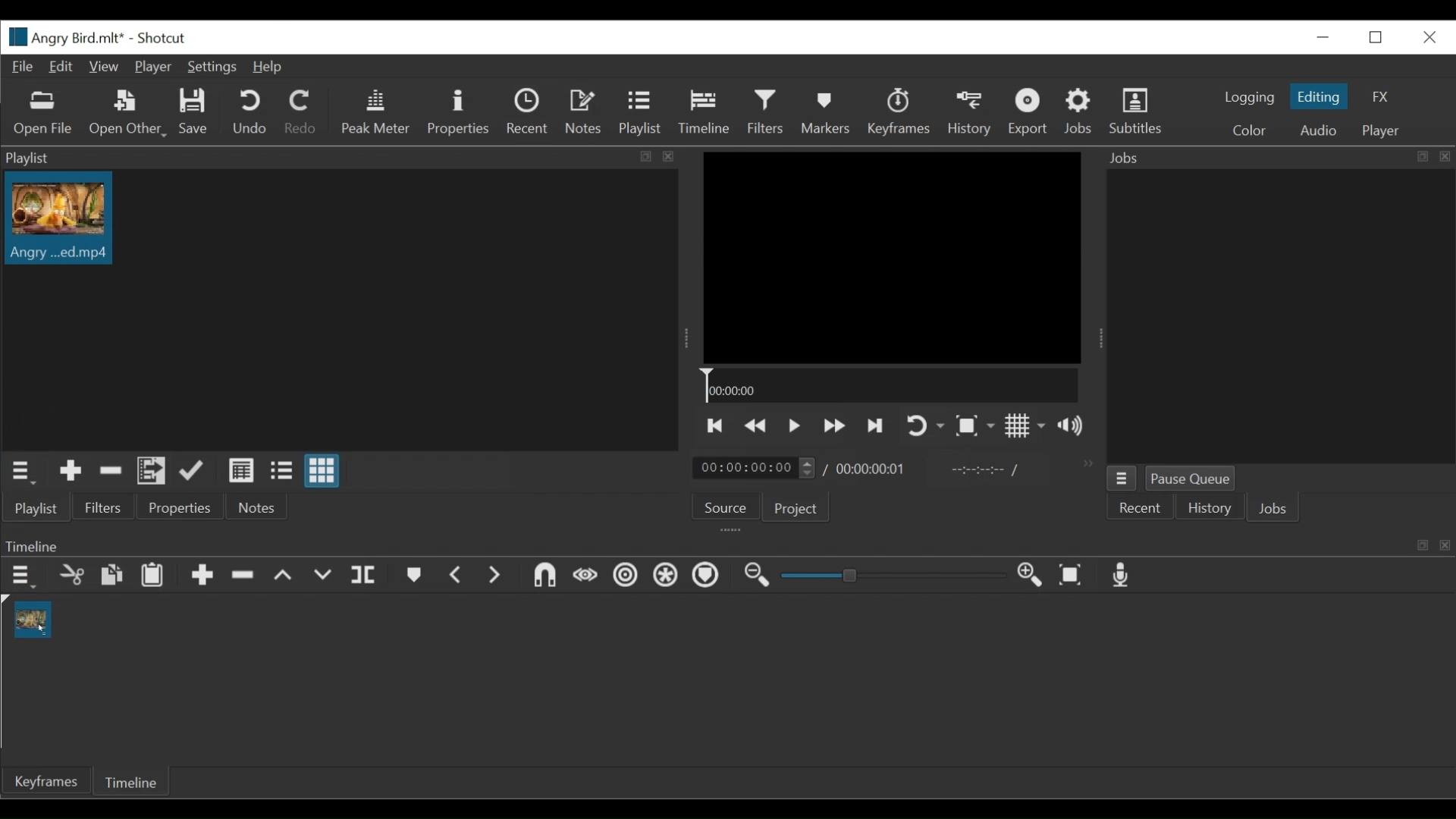  Describe the element at coordinates (1191, 479) in the screenshot. I see `Pause Queue` at that location.